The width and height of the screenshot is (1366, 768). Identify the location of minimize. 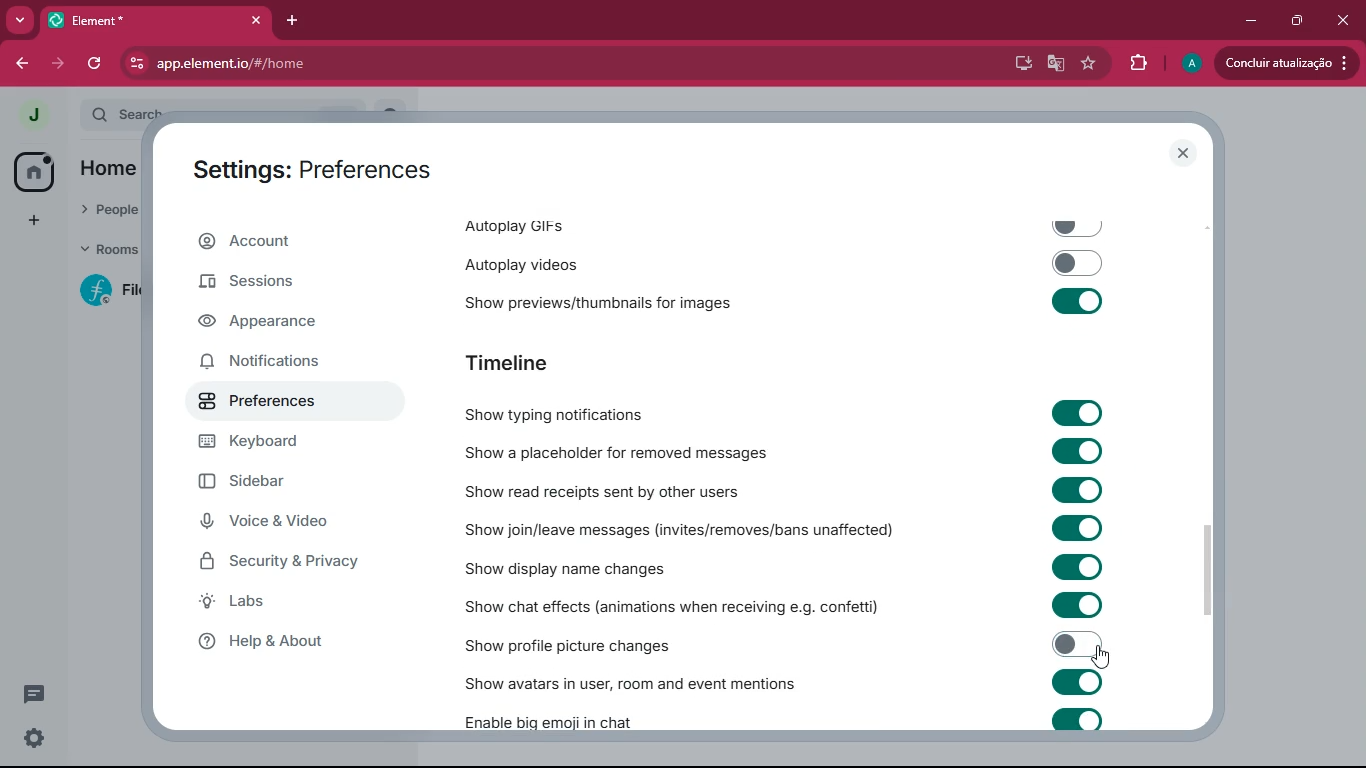
(1251, 21).